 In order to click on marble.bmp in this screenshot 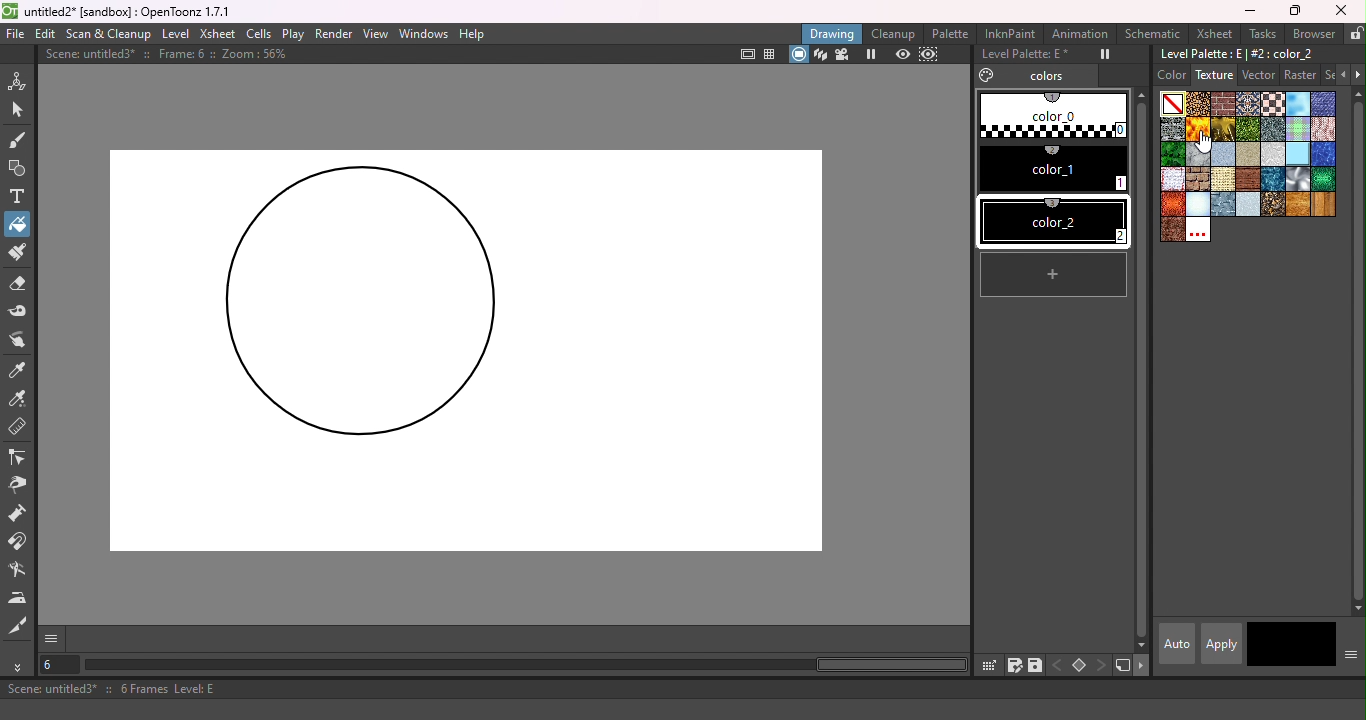, I will do `click(1198, 154)`.